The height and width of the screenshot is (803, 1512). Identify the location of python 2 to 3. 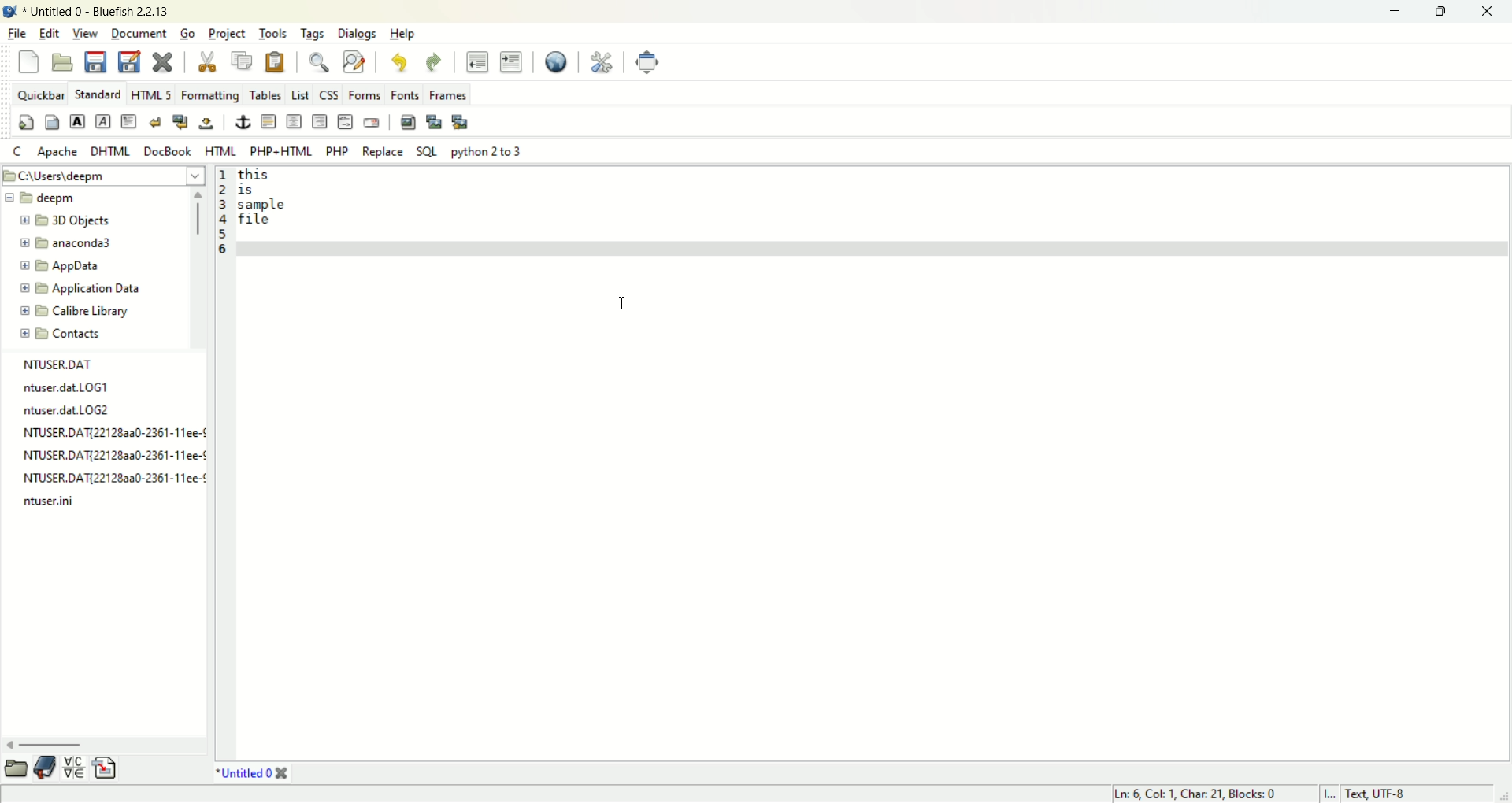
(487, 151).